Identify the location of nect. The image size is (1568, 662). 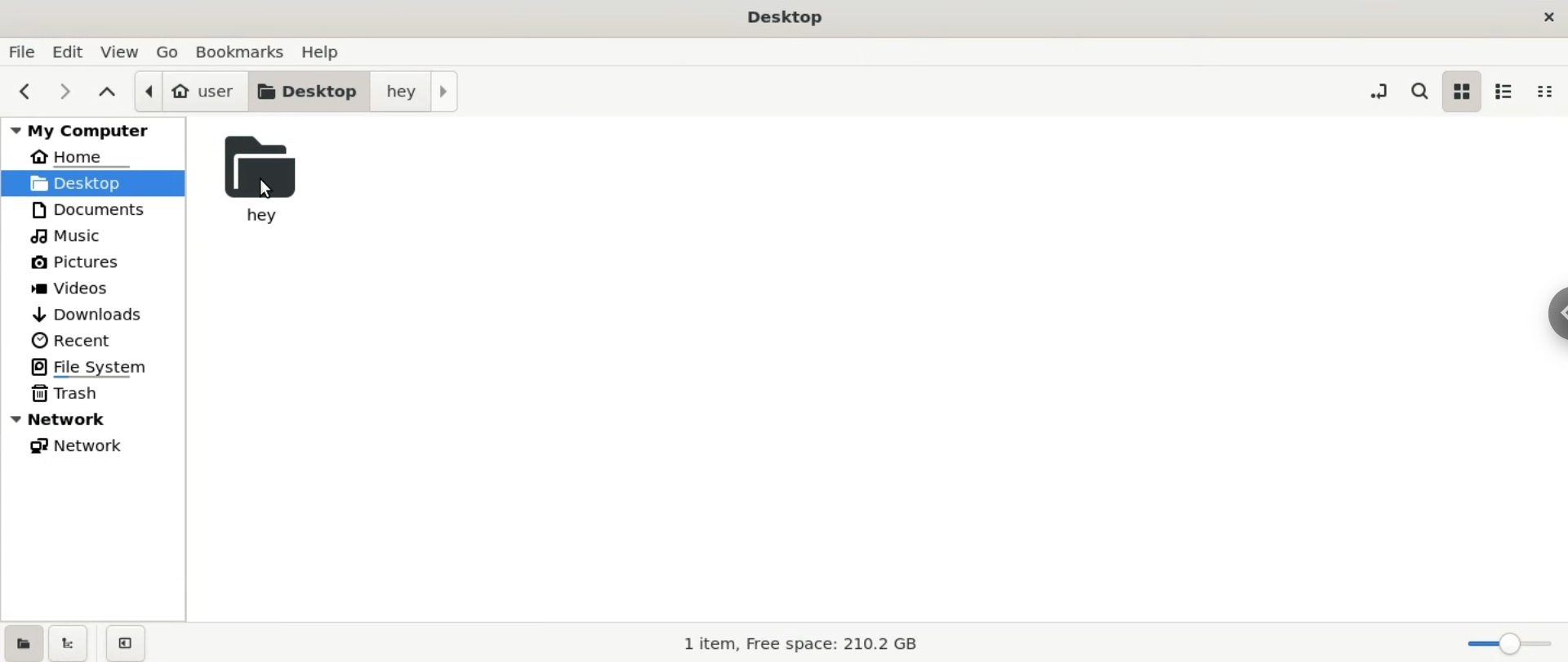
(66, 91).